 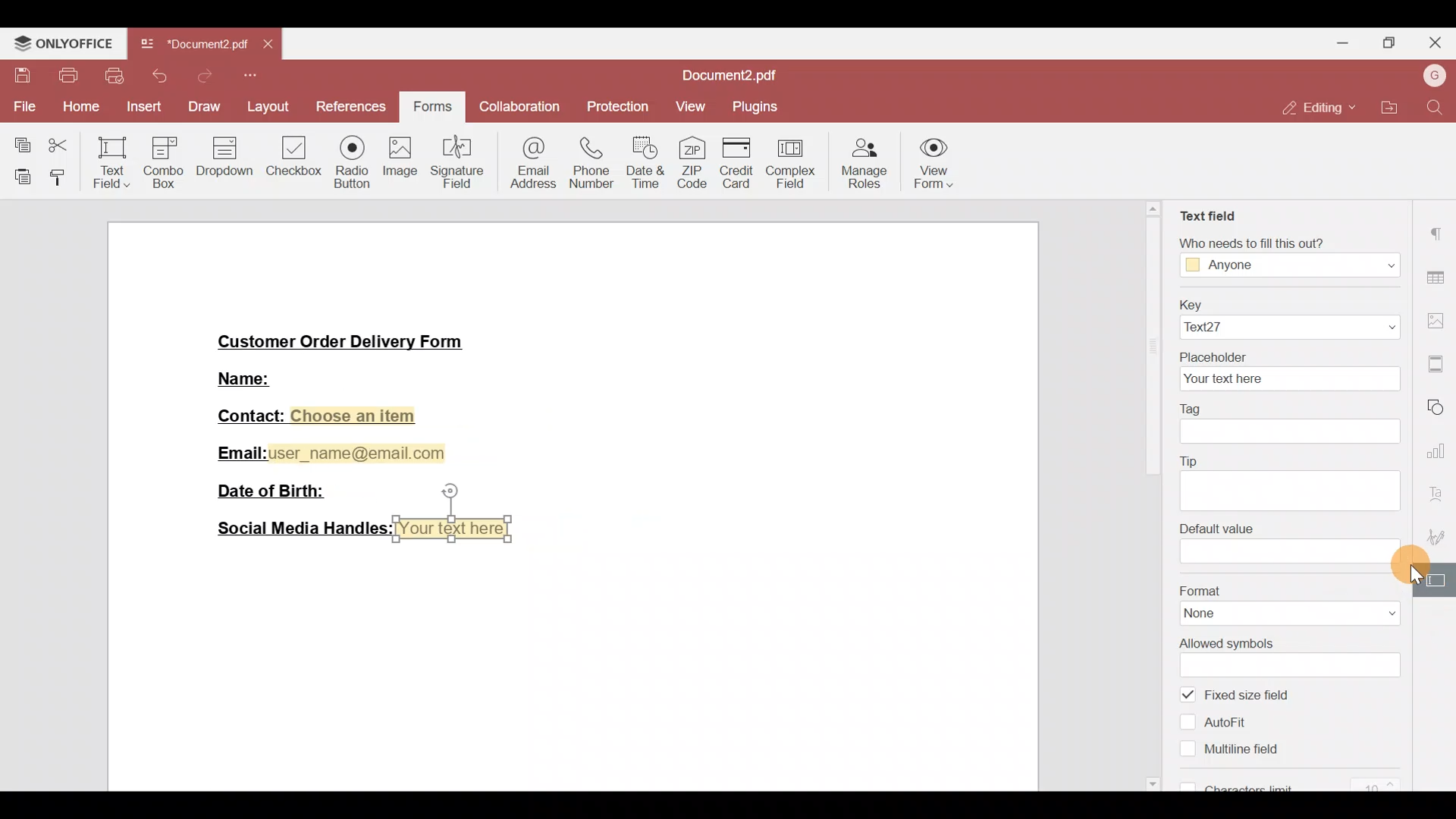 I want to click on Scroll bar, so click(x=1413, y=498).